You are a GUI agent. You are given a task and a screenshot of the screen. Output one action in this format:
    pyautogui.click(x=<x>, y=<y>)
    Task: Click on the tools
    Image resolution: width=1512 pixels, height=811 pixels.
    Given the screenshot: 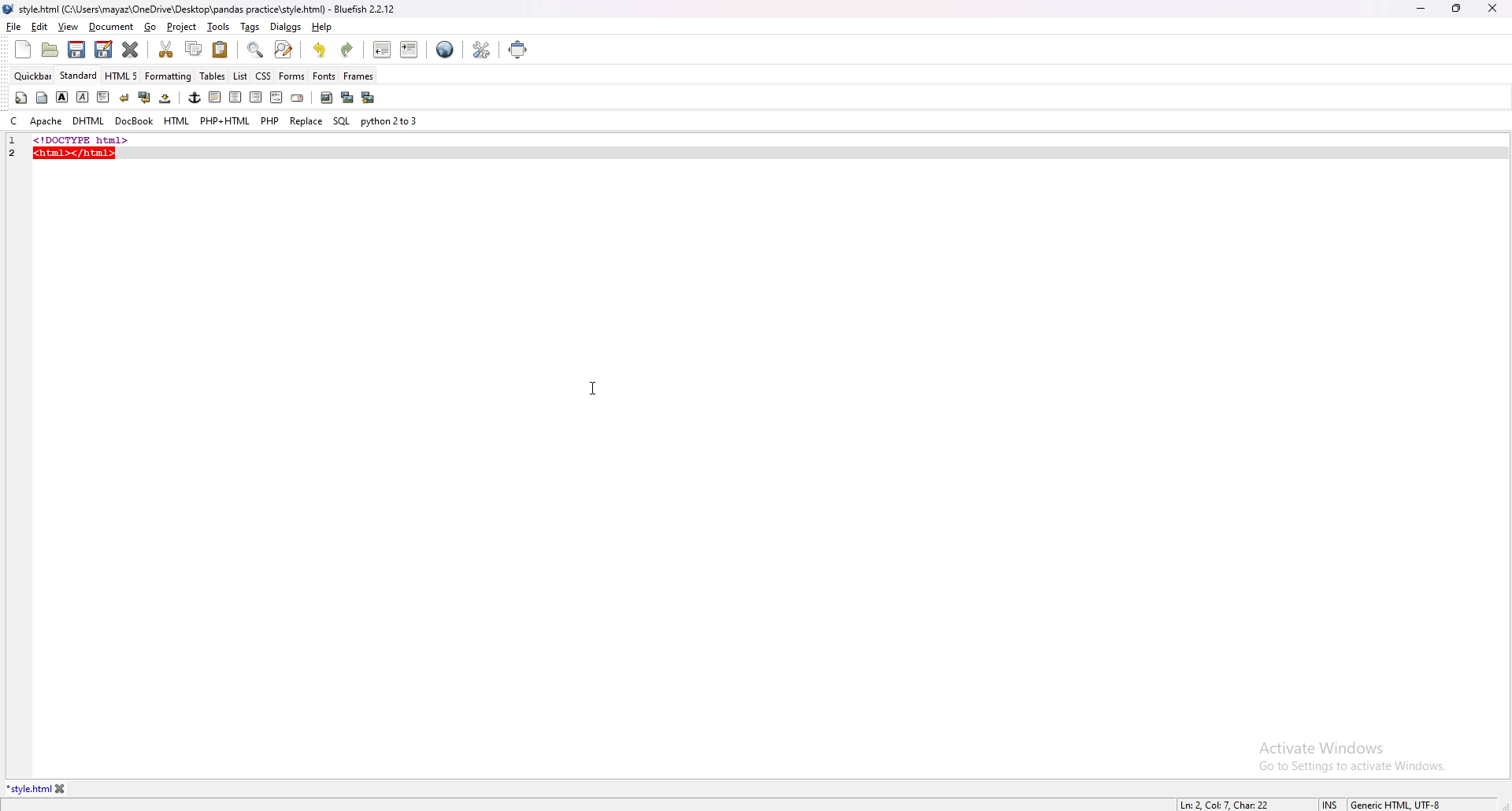 What is the action you would take?
    pyautogui.click(x=219, y=27)
    